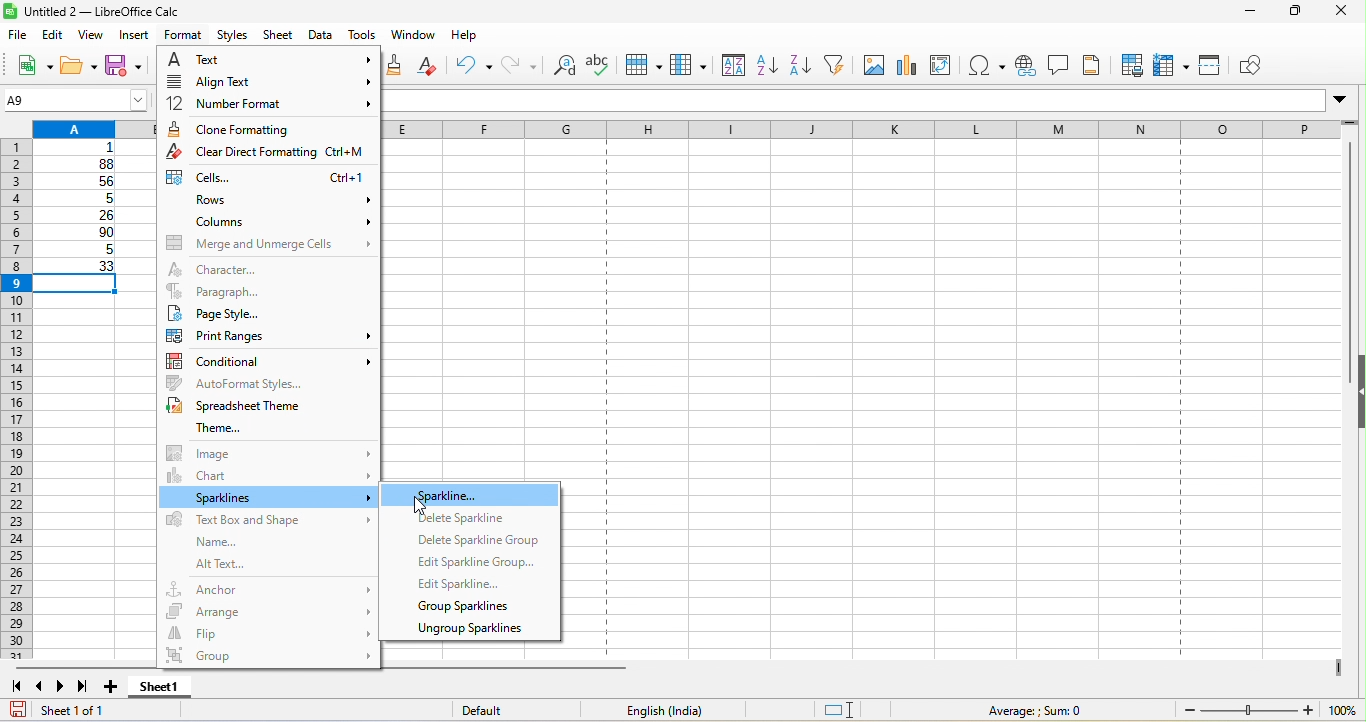  What do you see at coordinates (163, 12) in the screenshot?
I see `untitled 2-libre office calc` at bounding box center [163, 12].